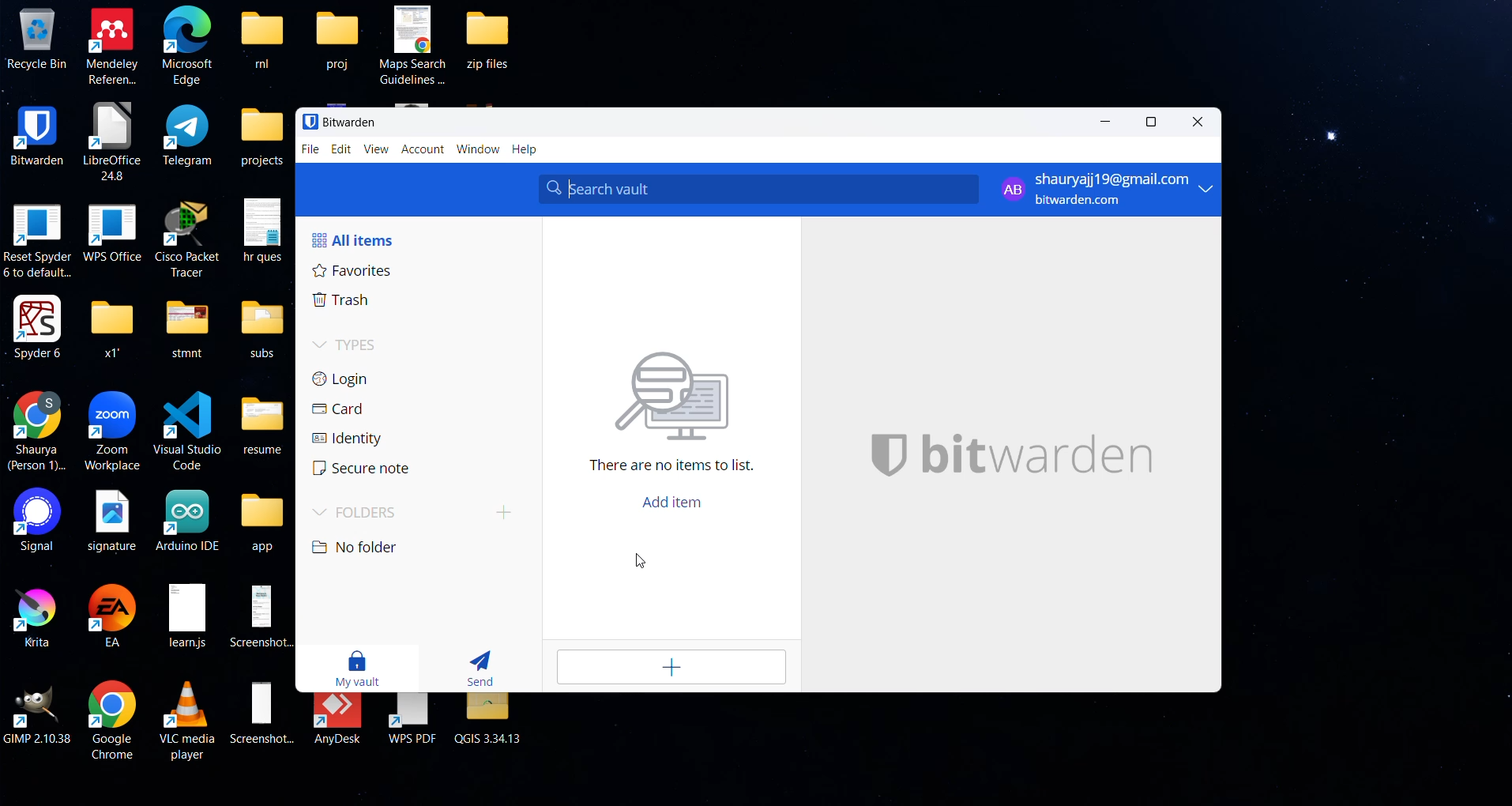 This screenshot has width=1512, height=806. Describe the element at coordinates (263, 229) in the screenshot. I see `hr ques` at that location.